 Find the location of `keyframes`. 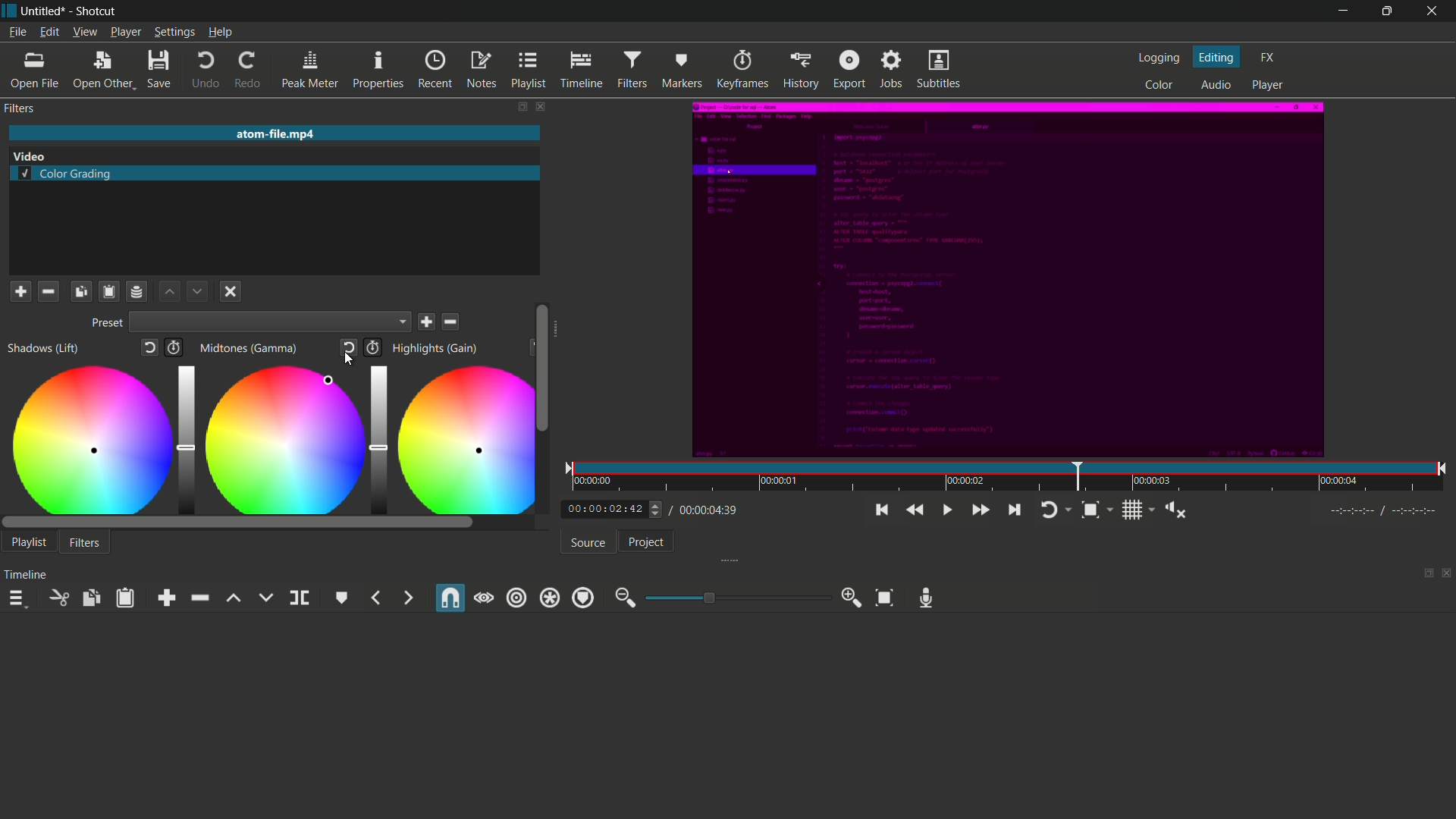

keyframes is located at coordinates (742, 70).